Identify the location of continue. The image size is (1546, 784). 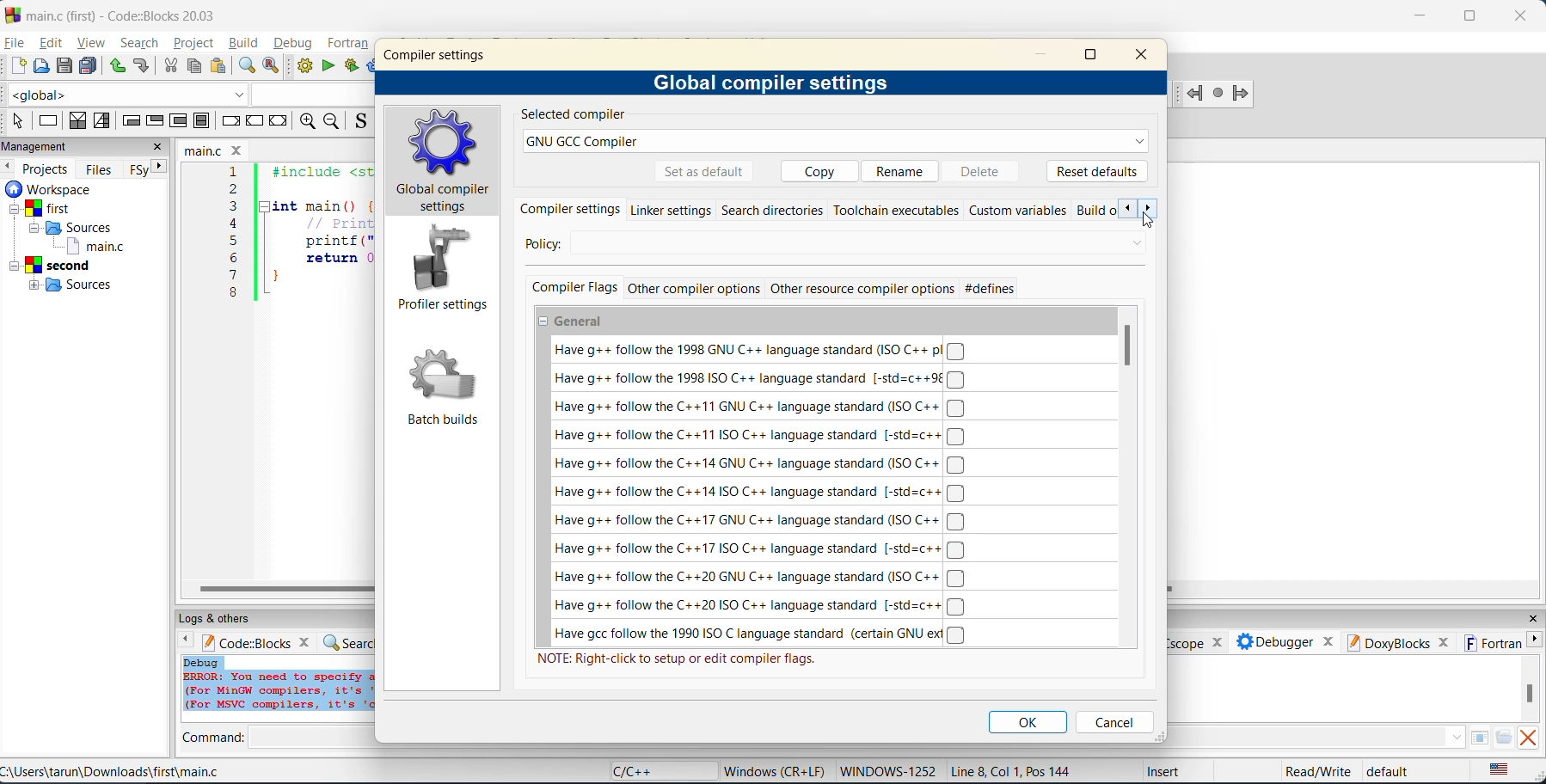
(255, 119).